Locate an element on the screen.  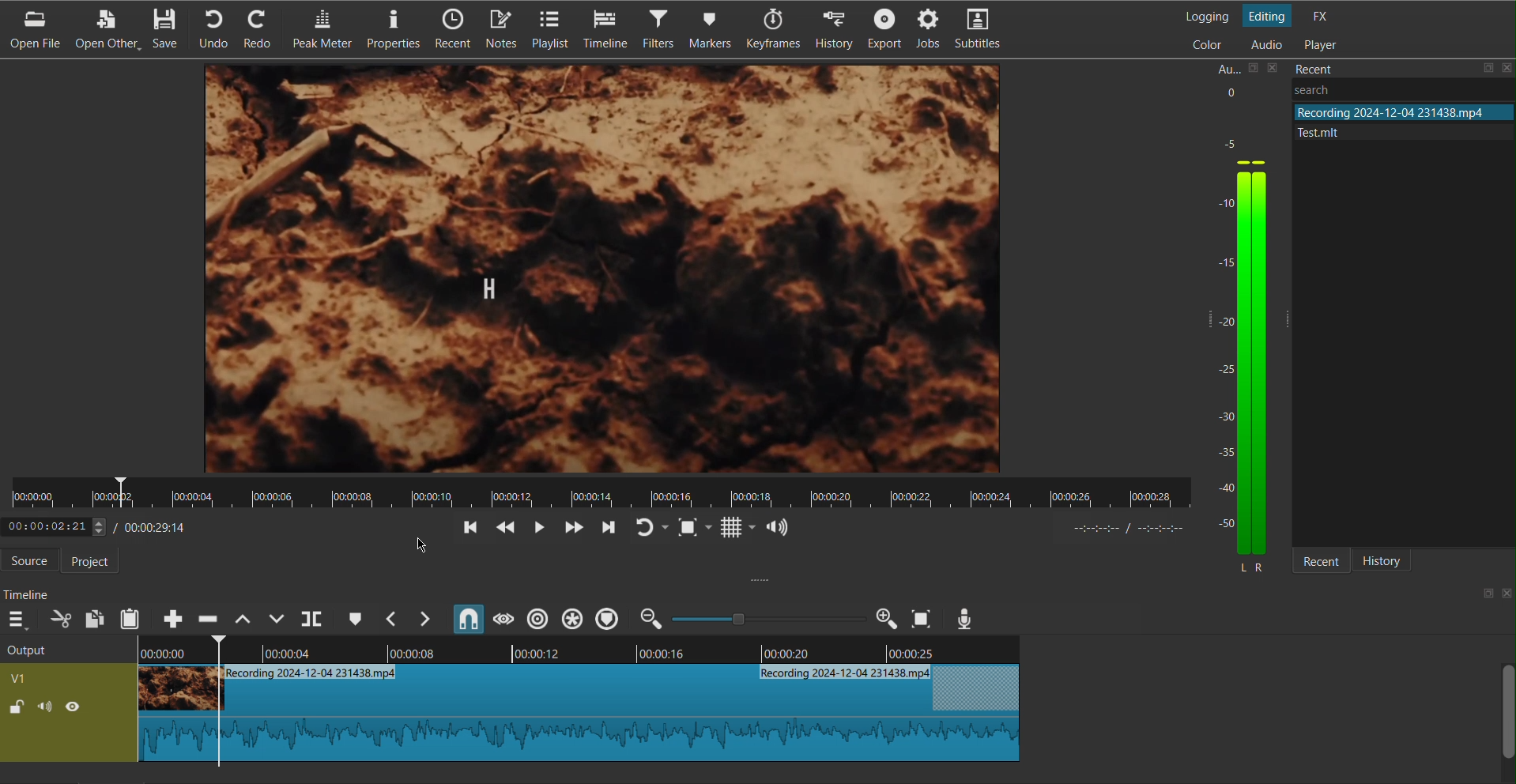
Cue is located at coordinates (354, 617).